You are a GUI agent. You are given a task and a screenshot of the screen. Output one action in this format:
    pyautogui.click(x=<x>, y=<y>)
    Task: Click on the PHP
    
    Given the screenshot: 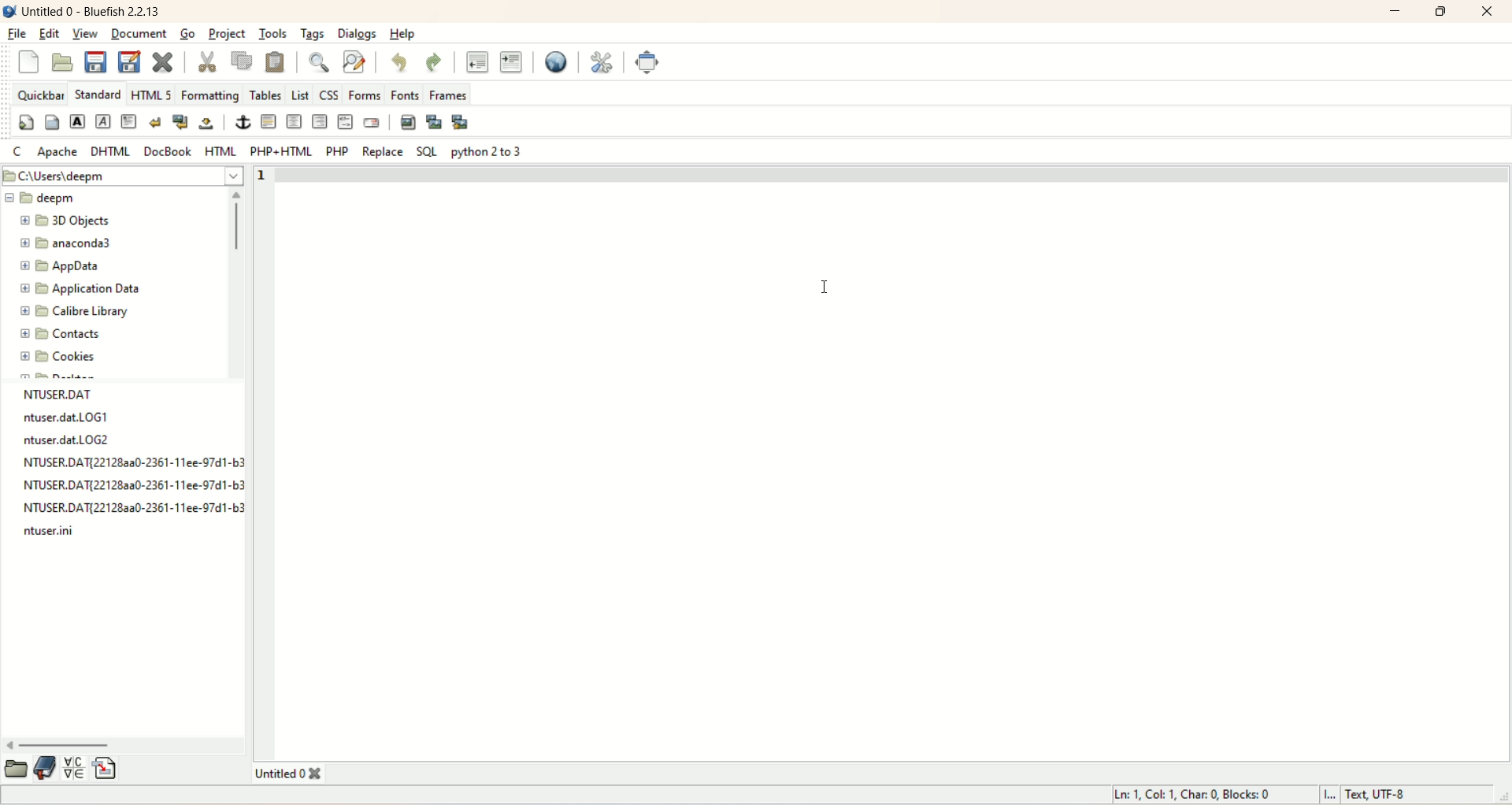 What is the action you would take?
    pyautogui.click(x=335, y=150)
    